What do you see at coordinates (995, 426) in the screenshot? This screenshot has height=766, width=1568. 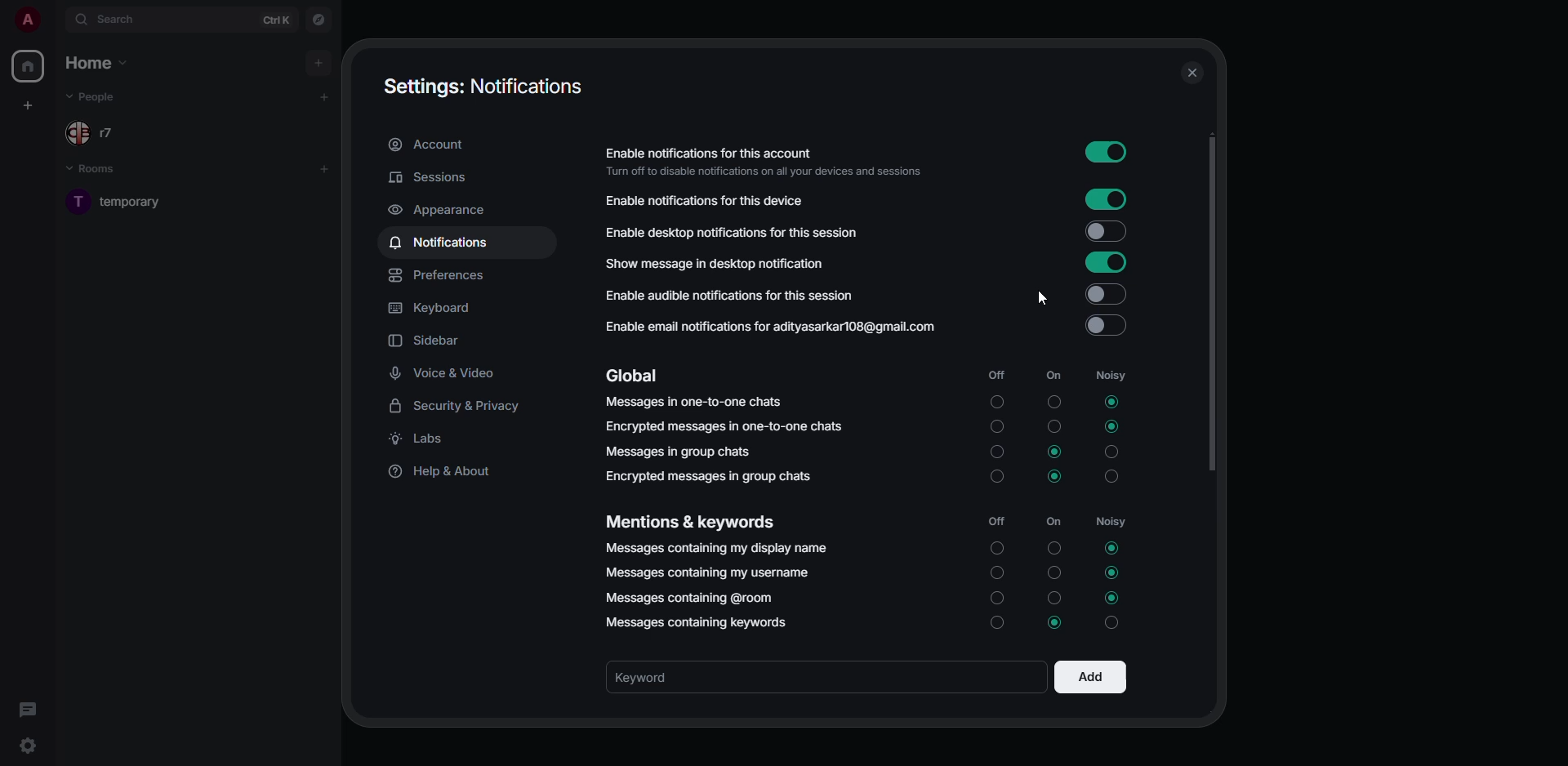 I see `Off Unselected` at bounding box center [995, 426].